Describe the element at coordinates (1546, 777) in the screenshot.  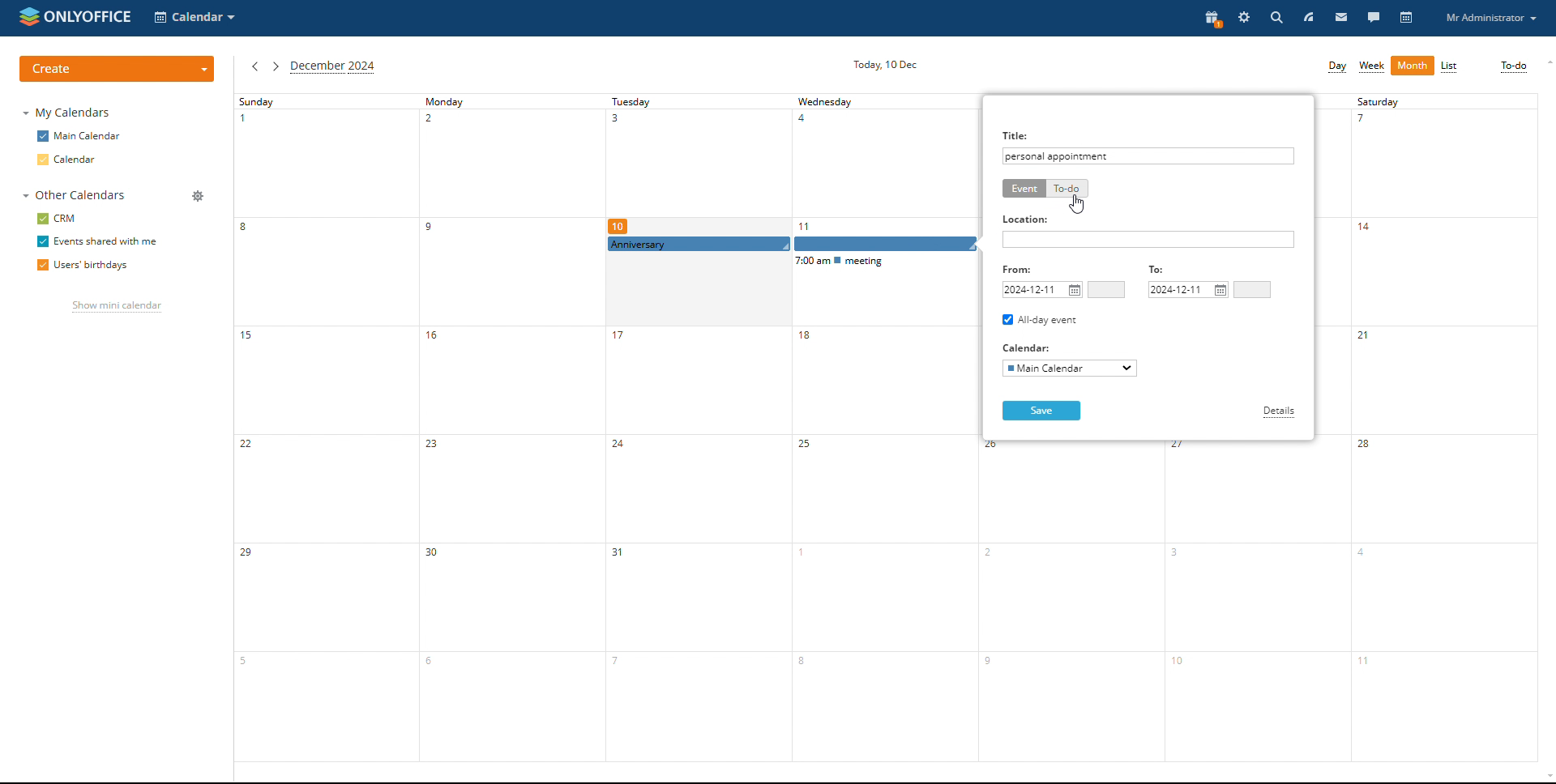
I see `scroll down` at that location.